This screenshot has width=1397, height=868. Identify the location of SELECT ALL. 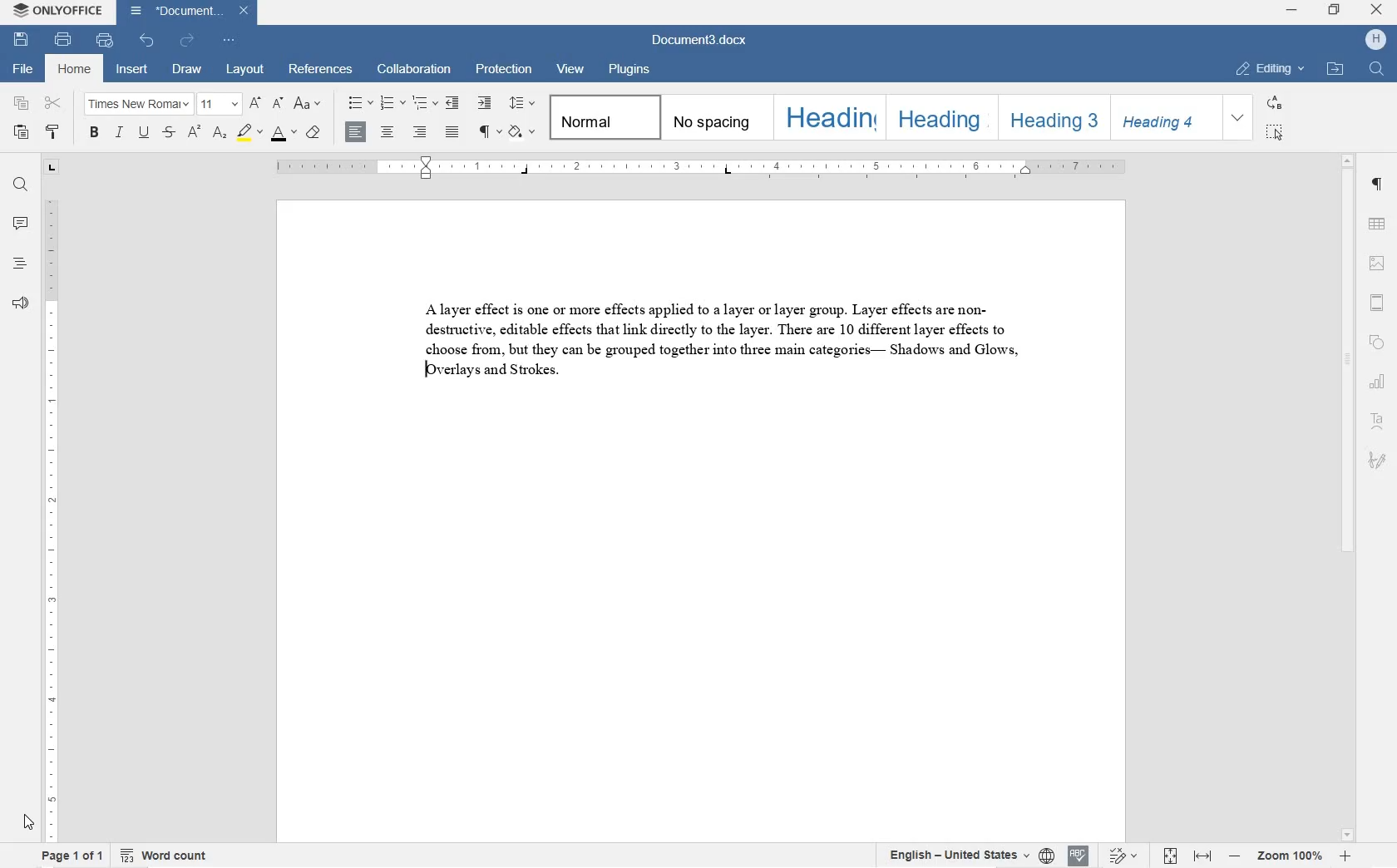
(1275, 133).